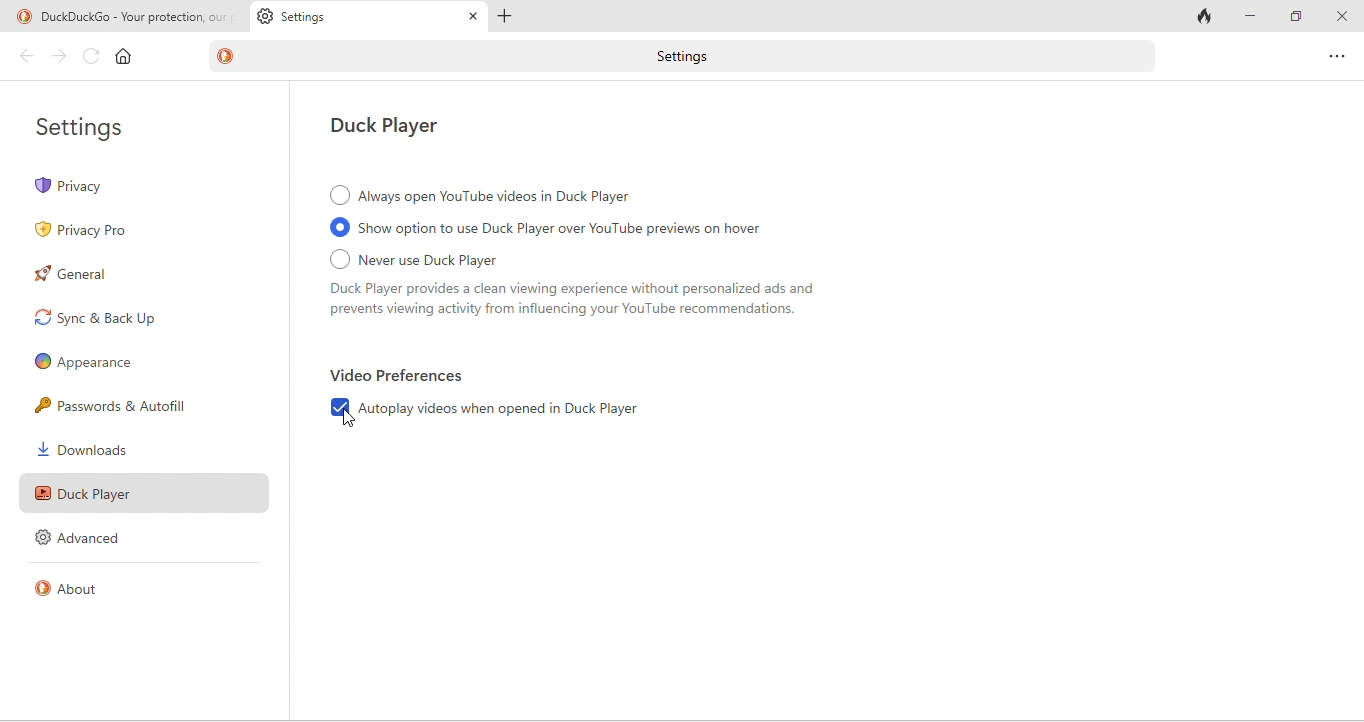 The width and height of the screenshot is (1364, 722). I want to click on add new, so click(513, 17).